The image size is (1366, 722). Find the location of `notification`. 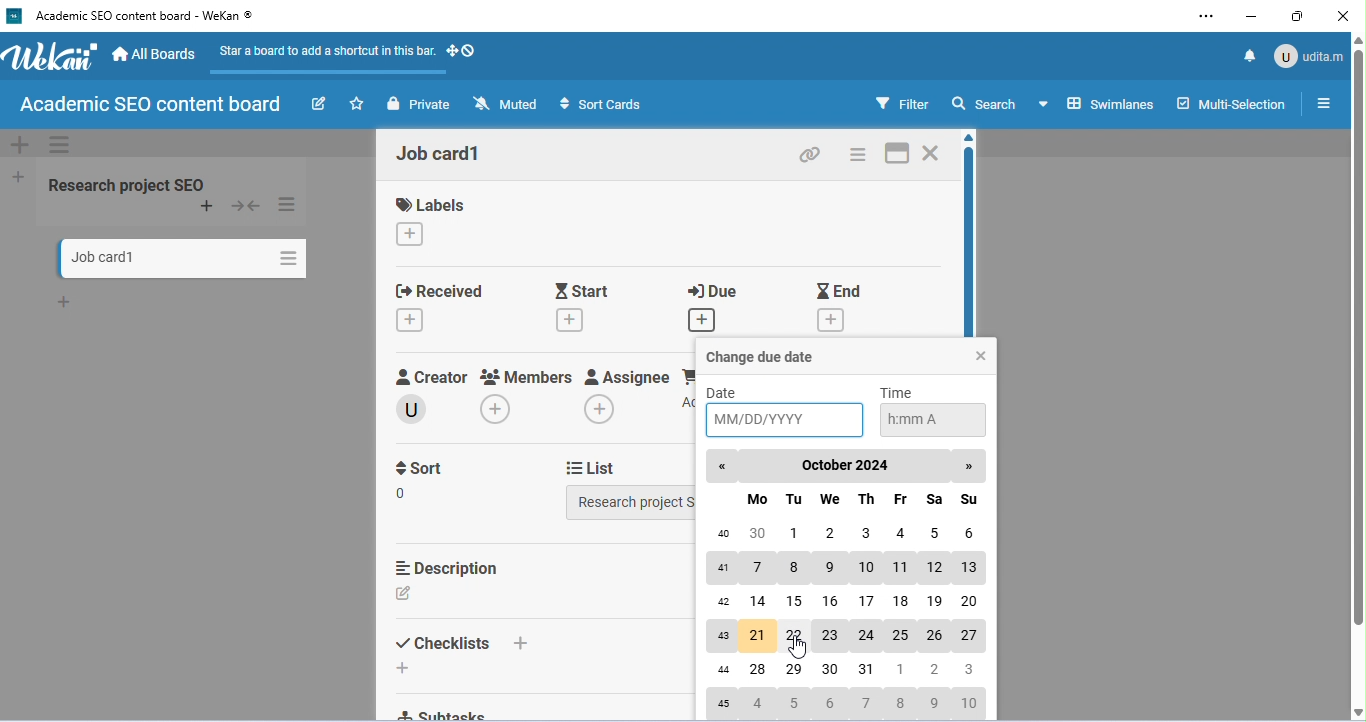

notification is located at coordinates (1252, 54).